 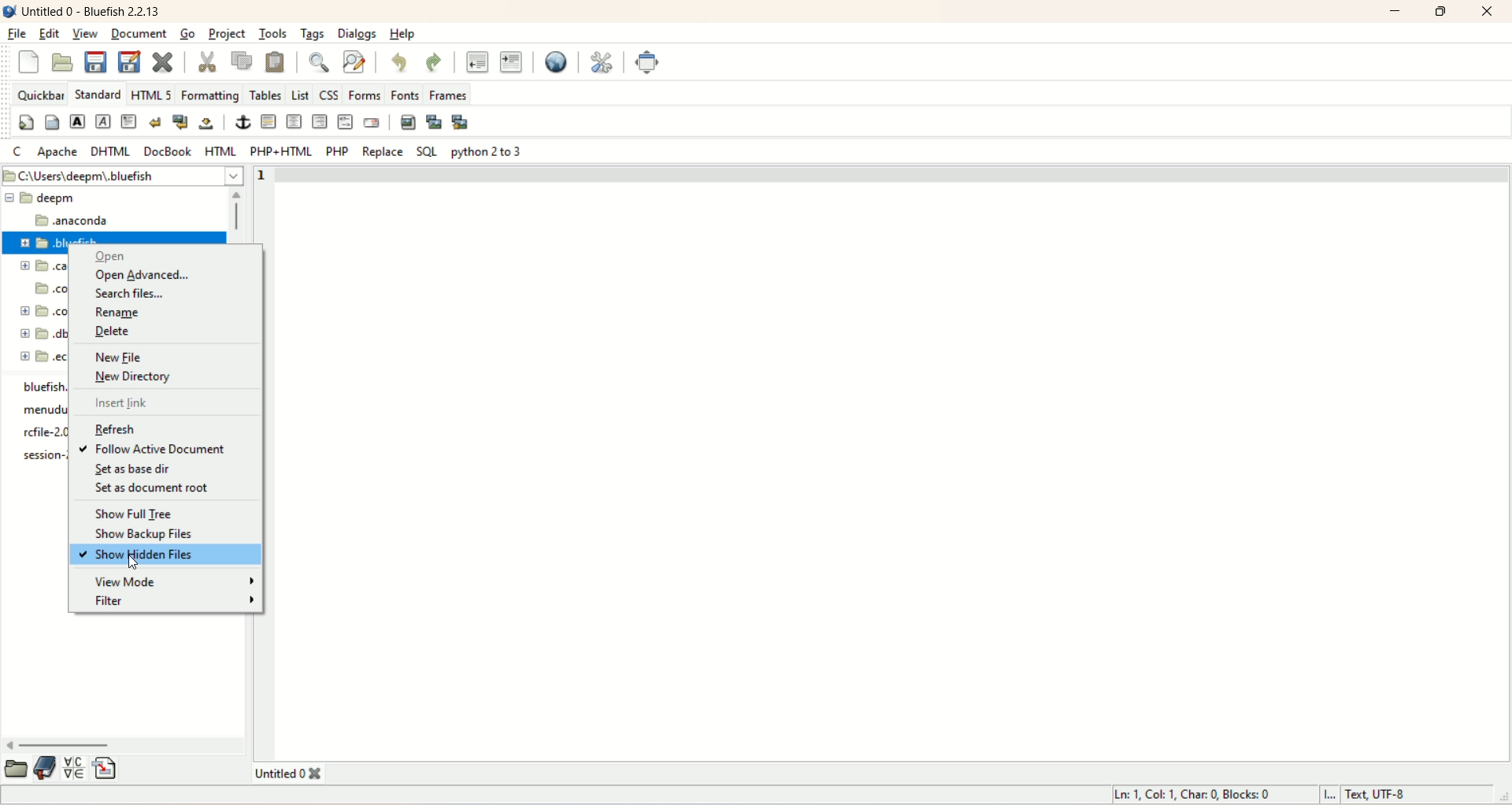 I want to click on dialogs, so click(x=356, y=35).